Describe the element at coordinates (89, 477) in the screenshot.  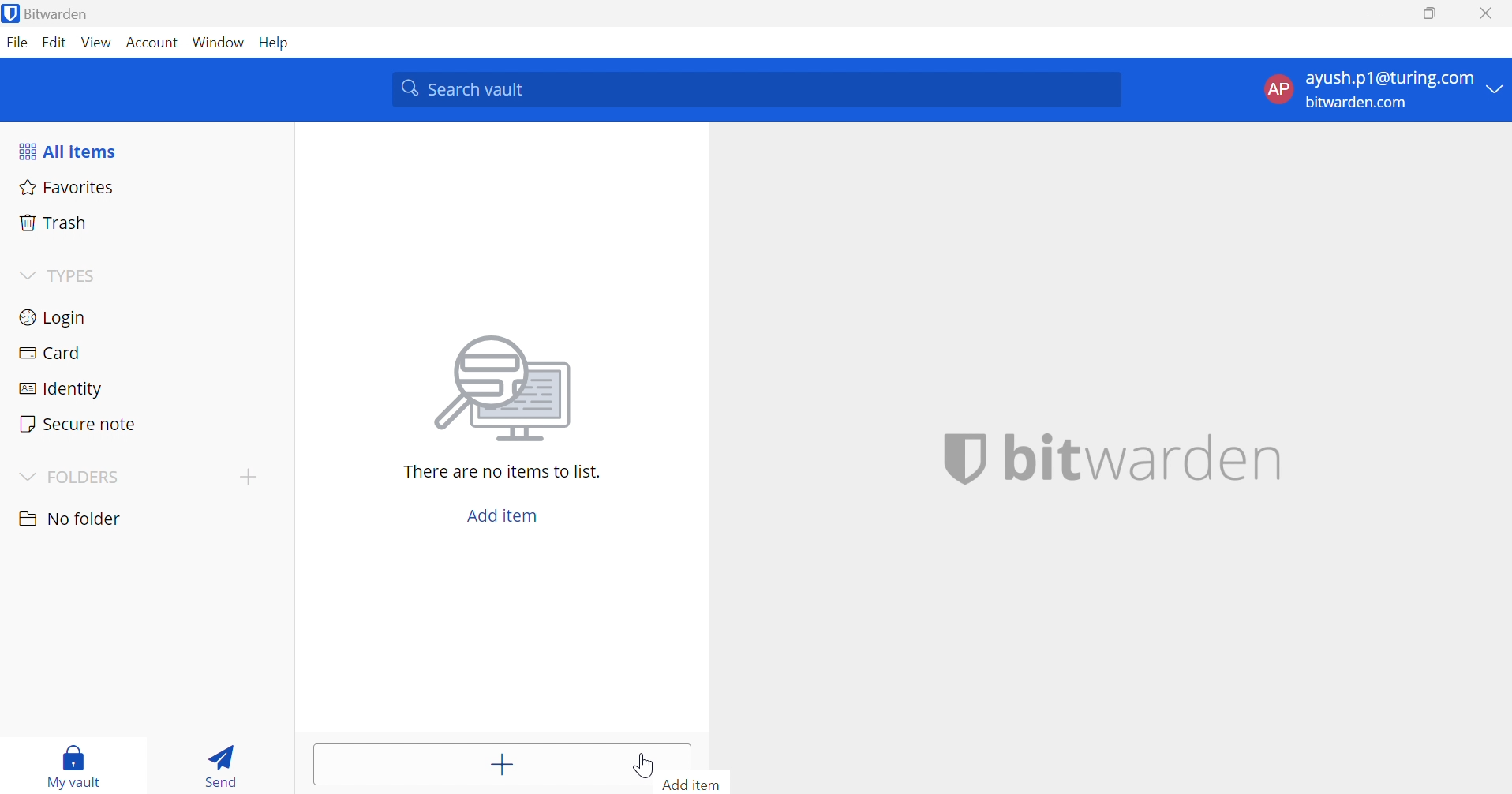
I see `FOLDERS` at that location.